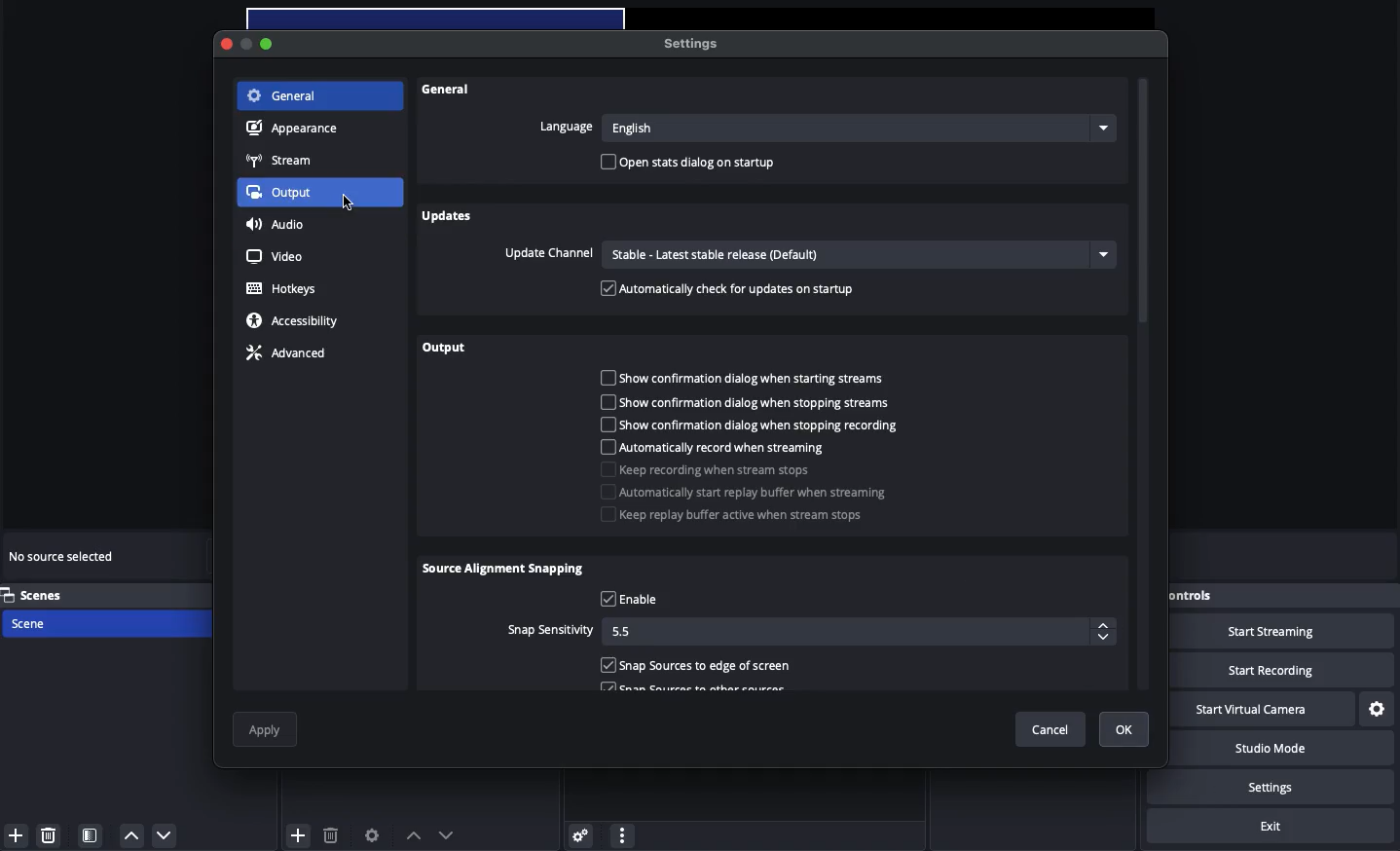 This screenshot has width=1400, height=851. What do you see at coordinates (275, 256) in the screenshot?
I see `Video` at bounding box center [275, 256].